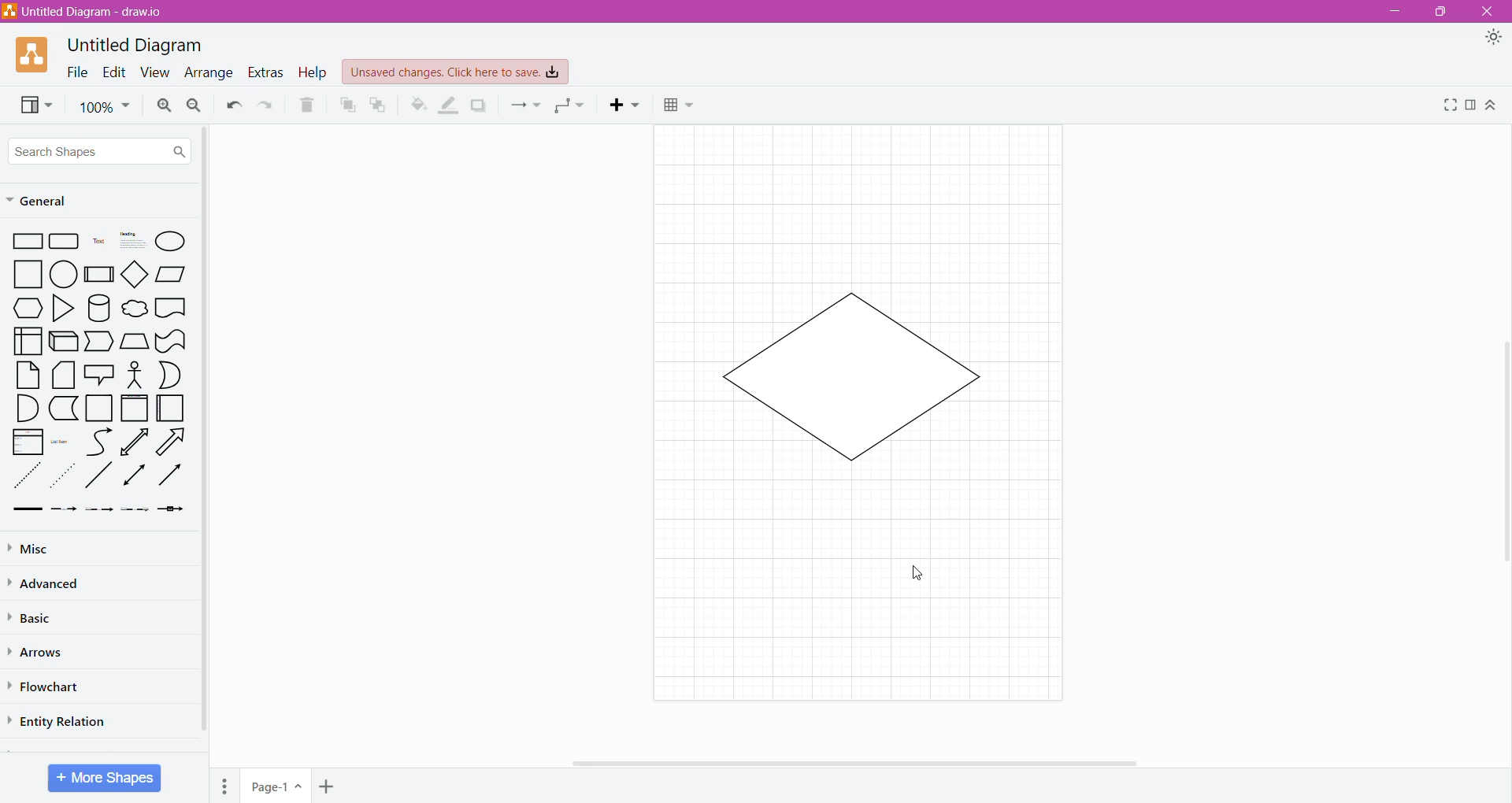 The image size is (1512, 803). Describe the element at coordinates (224, 786) in the screenshot. I see `Pages` at that location.